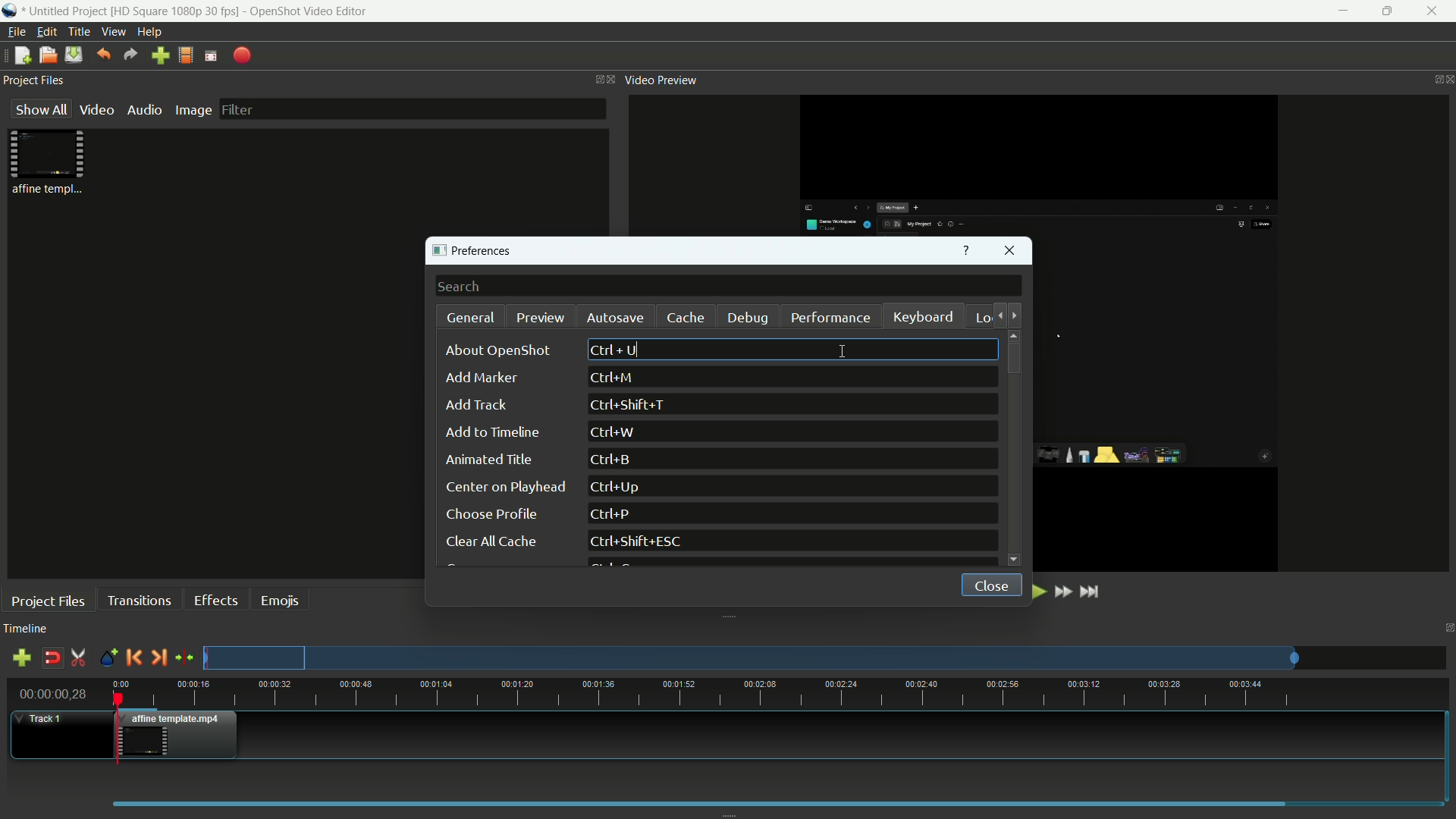 Image resolution: width=1456 pixels, height=819 pixels. Describe the element at coordinates (158, 657) in the screenshot. I see `next marker` at that location.